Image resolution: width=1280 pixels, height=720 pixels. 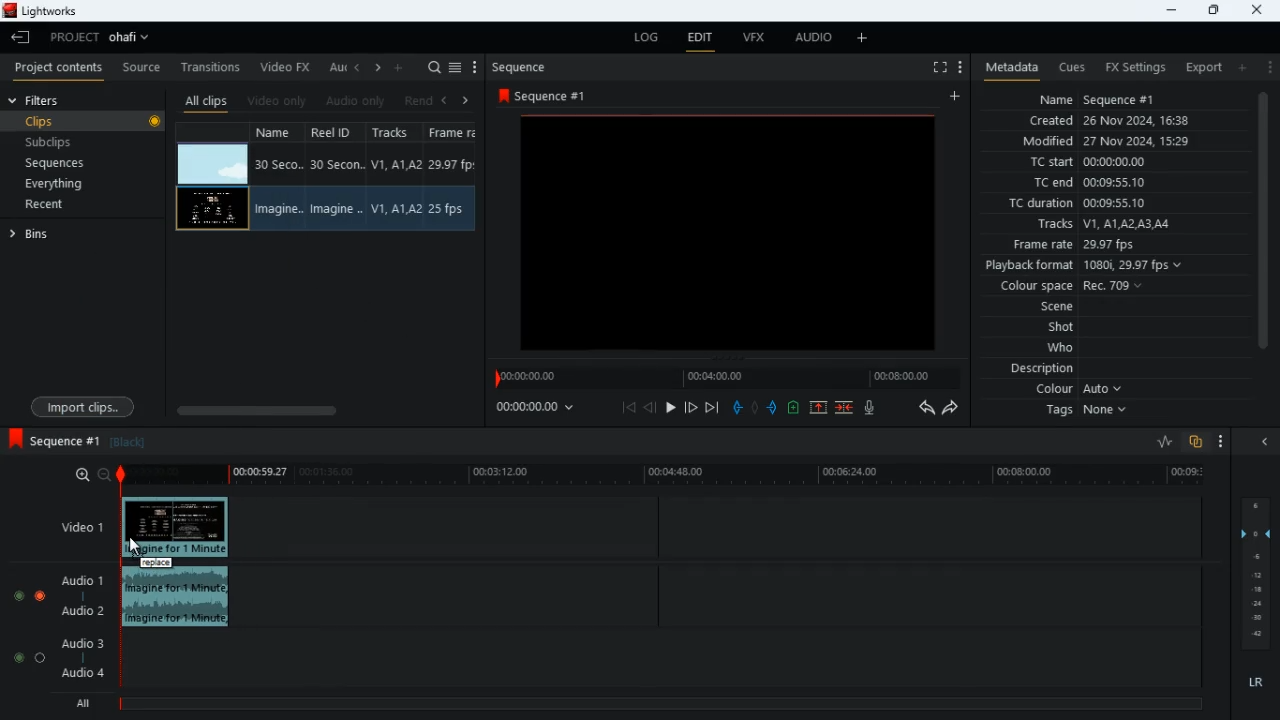 What do you see at coordinates (334, 165) in the screenshot?
I see `30 secon...` at bounding box center [334, 165].